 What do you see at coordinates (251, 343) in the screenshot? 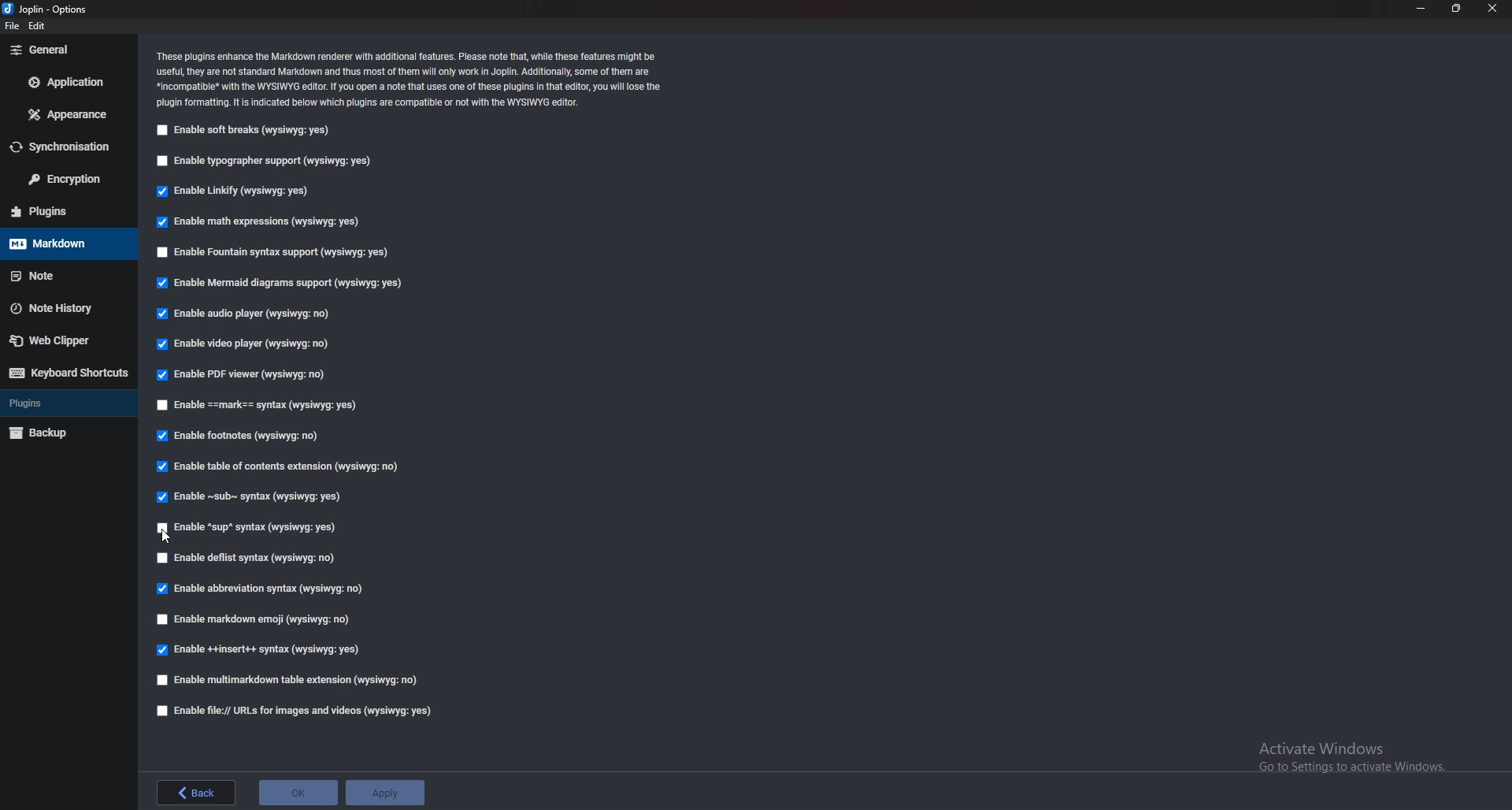
I see `Enable video player` at bounding box center [251, 343].